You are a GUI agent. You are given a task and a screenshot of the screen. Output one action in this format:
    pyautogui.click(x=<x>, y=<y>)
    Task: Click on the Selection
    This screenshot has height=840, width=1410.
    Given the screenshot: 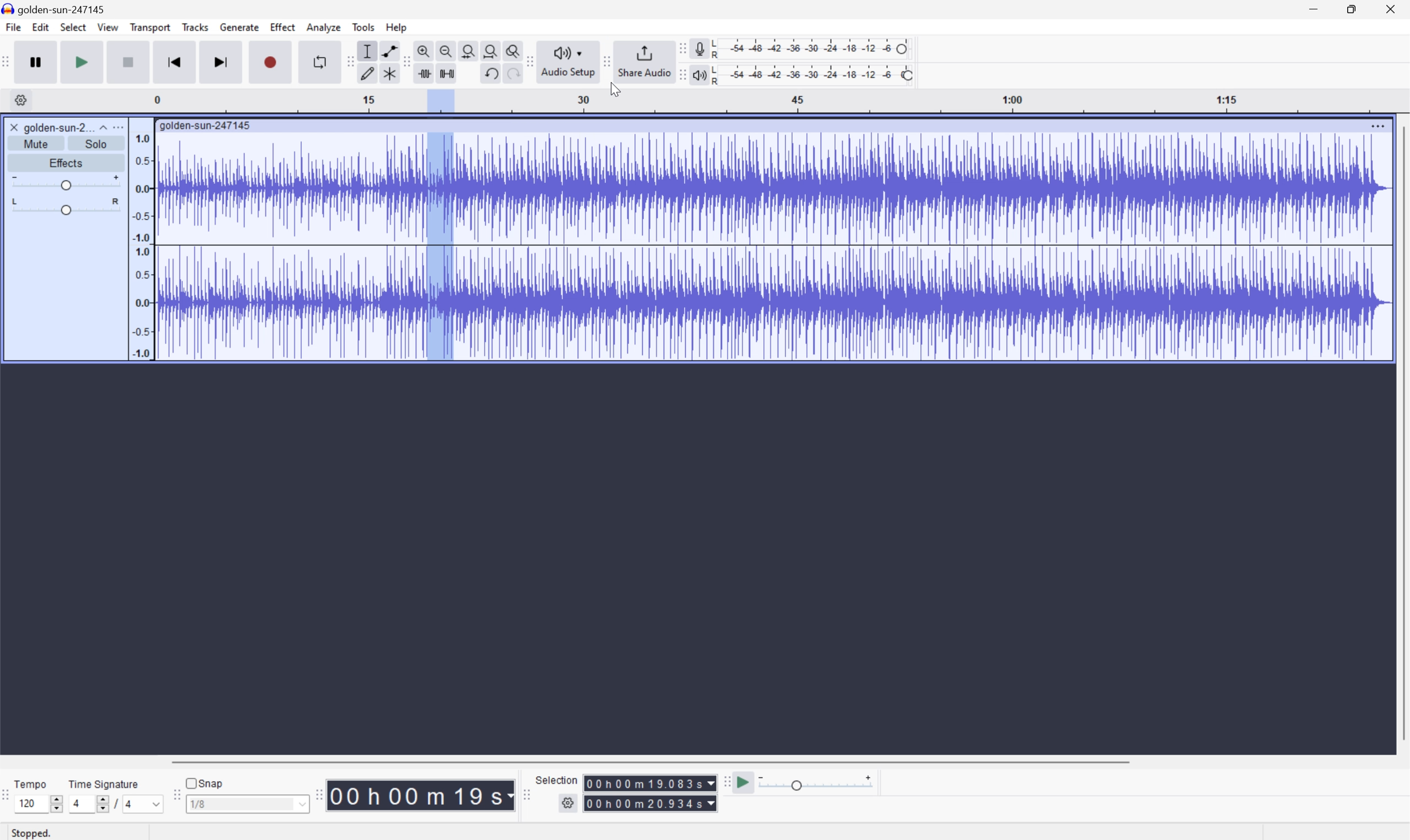 What is the action you would take?
    pyautogui.click(x=557, y=779)
    